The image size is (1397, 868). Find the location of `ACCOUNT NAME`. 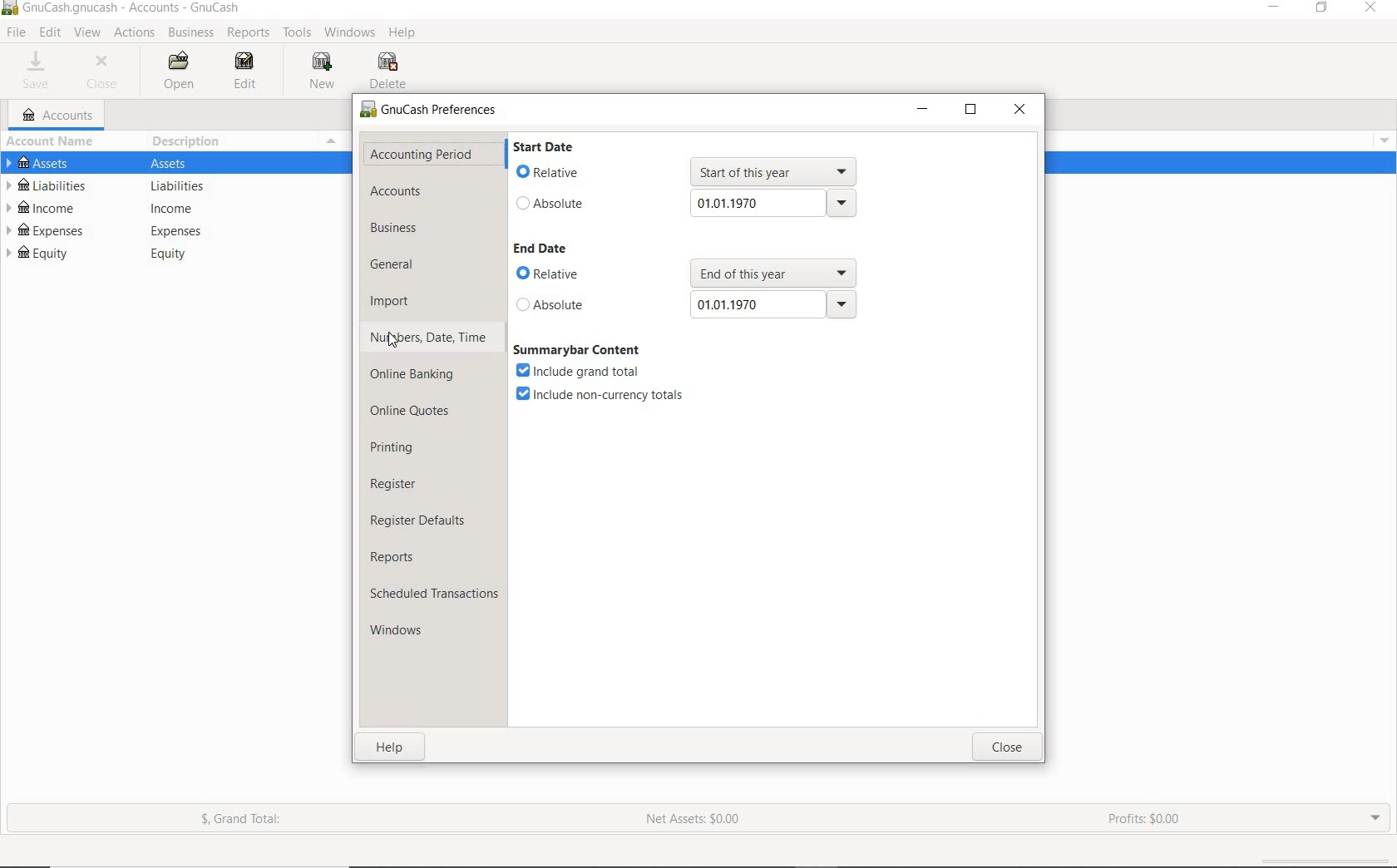

ACCOUNT NAME is located at coordinates (53, 141).